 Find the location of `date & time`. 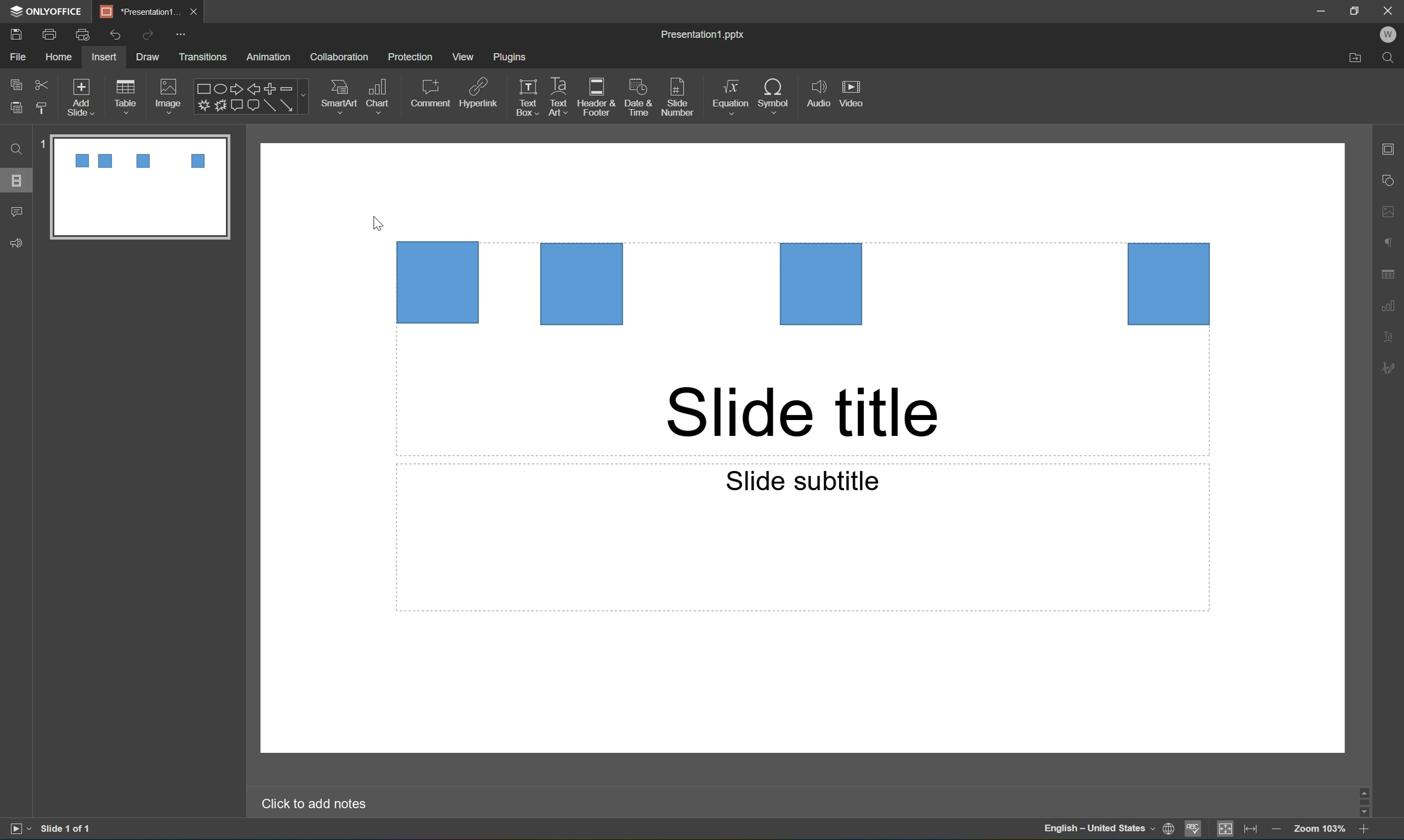

date & time is located at coordinates (641, 99).